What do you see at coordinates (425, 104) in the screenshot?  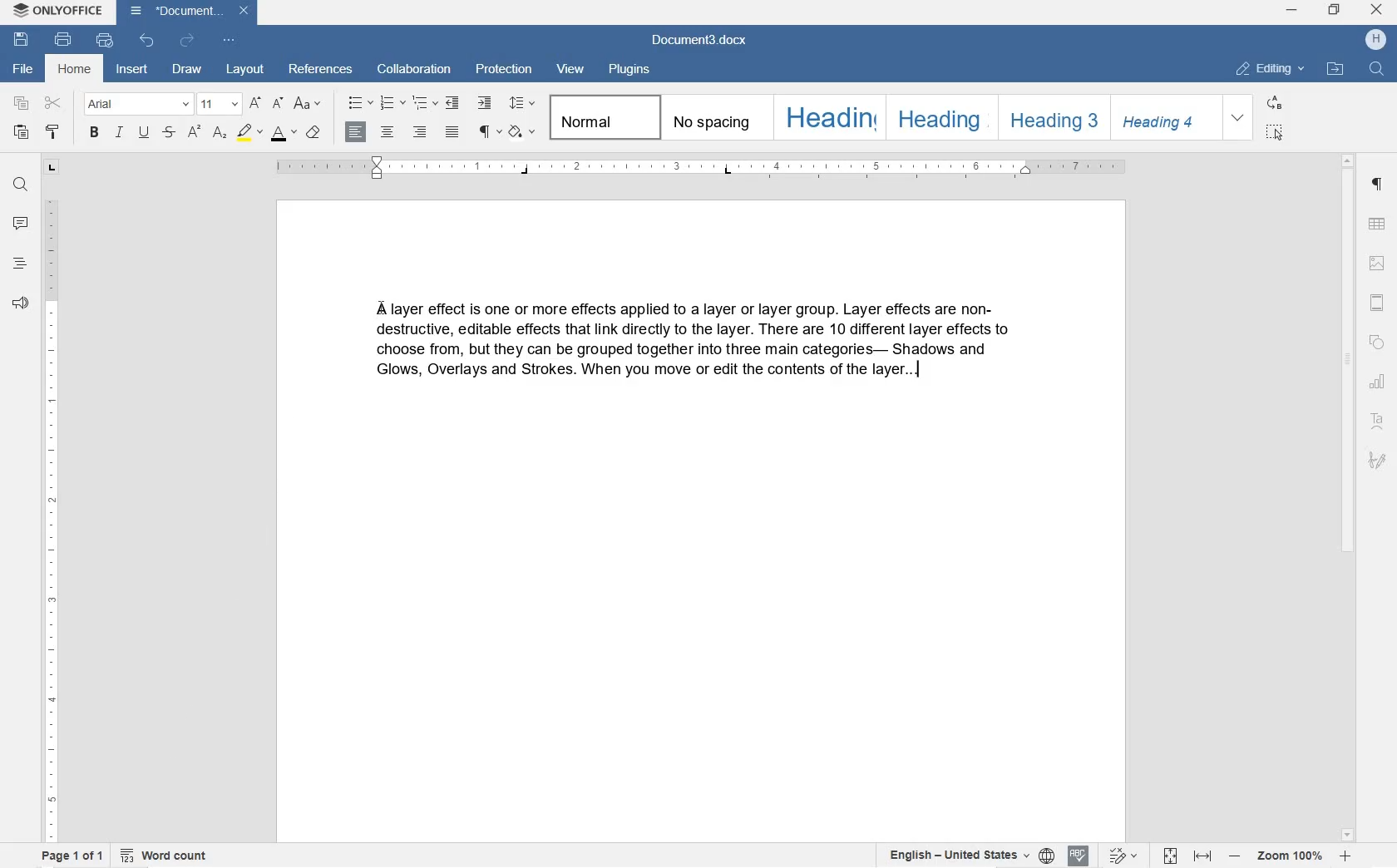 I see `MULTILEVEL LISTS` at bounding box center [425, 104].